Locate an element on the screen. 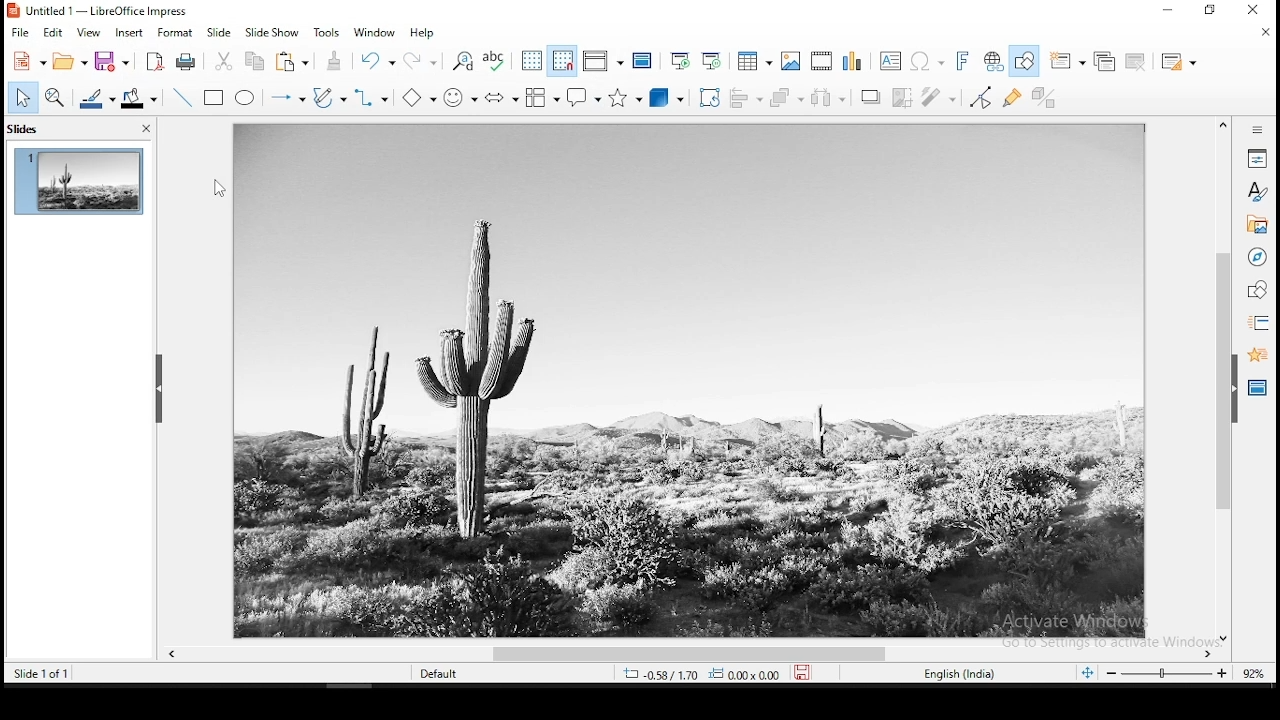 The width and height of the screenshot is (1280, 720). line is located at coordinates (183, 94).